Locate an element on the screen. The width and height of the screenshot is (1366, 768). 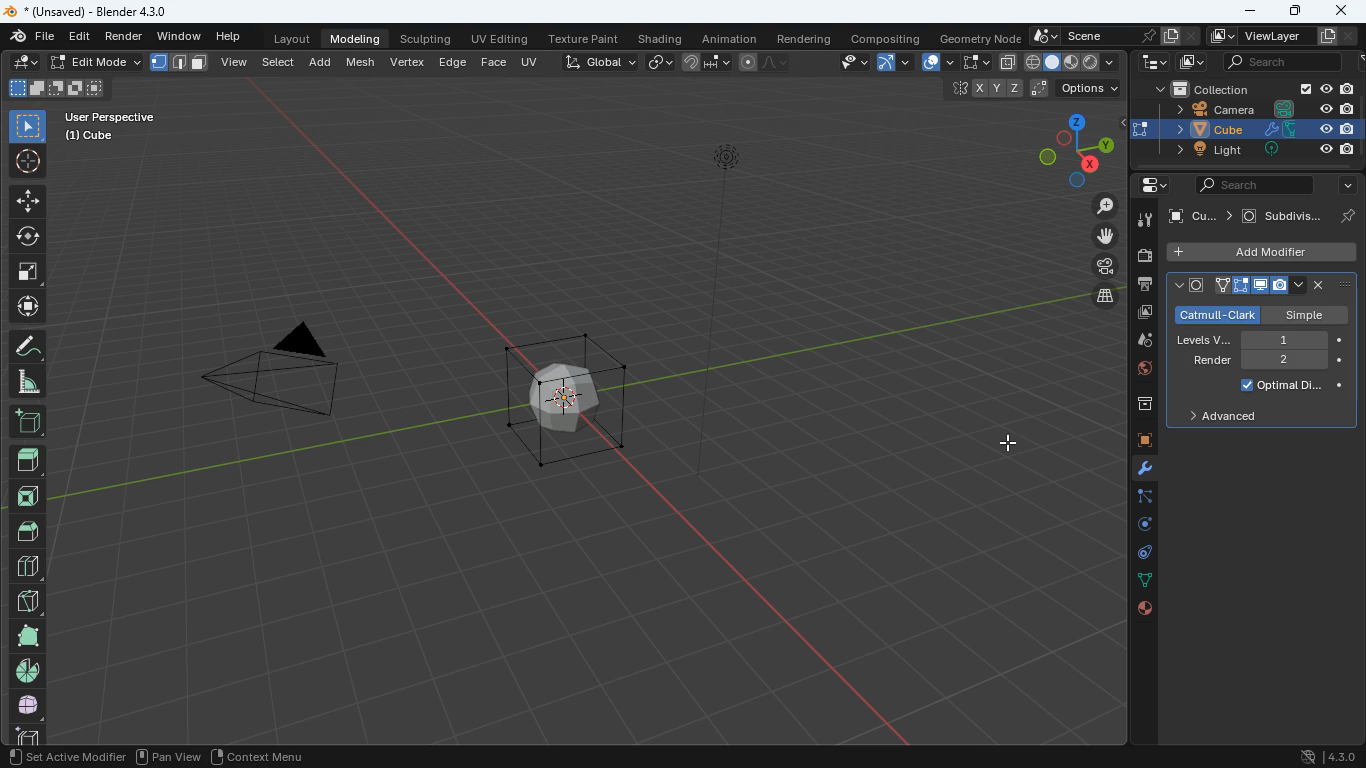
tools is located at coordinates (1142, 220).